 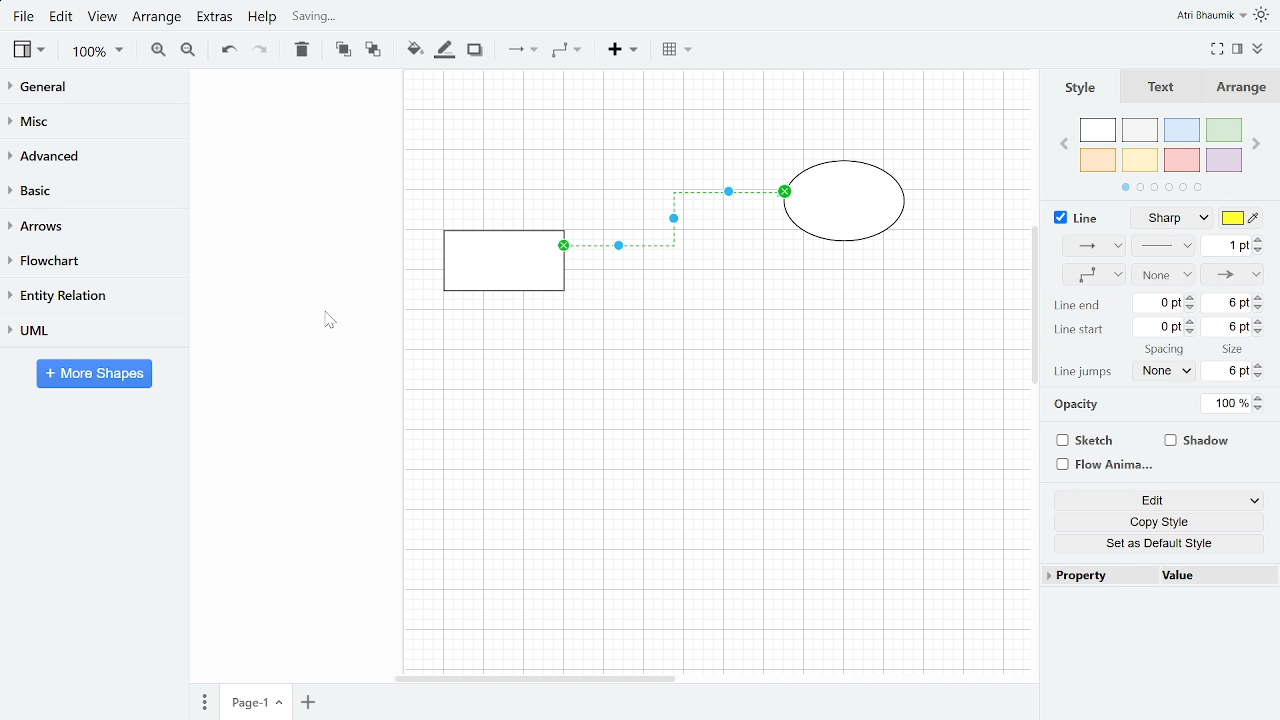 What do you see at coordinates (1217, 576) in the screenshot?
I see `Value` at bounding box center [1217, 576].